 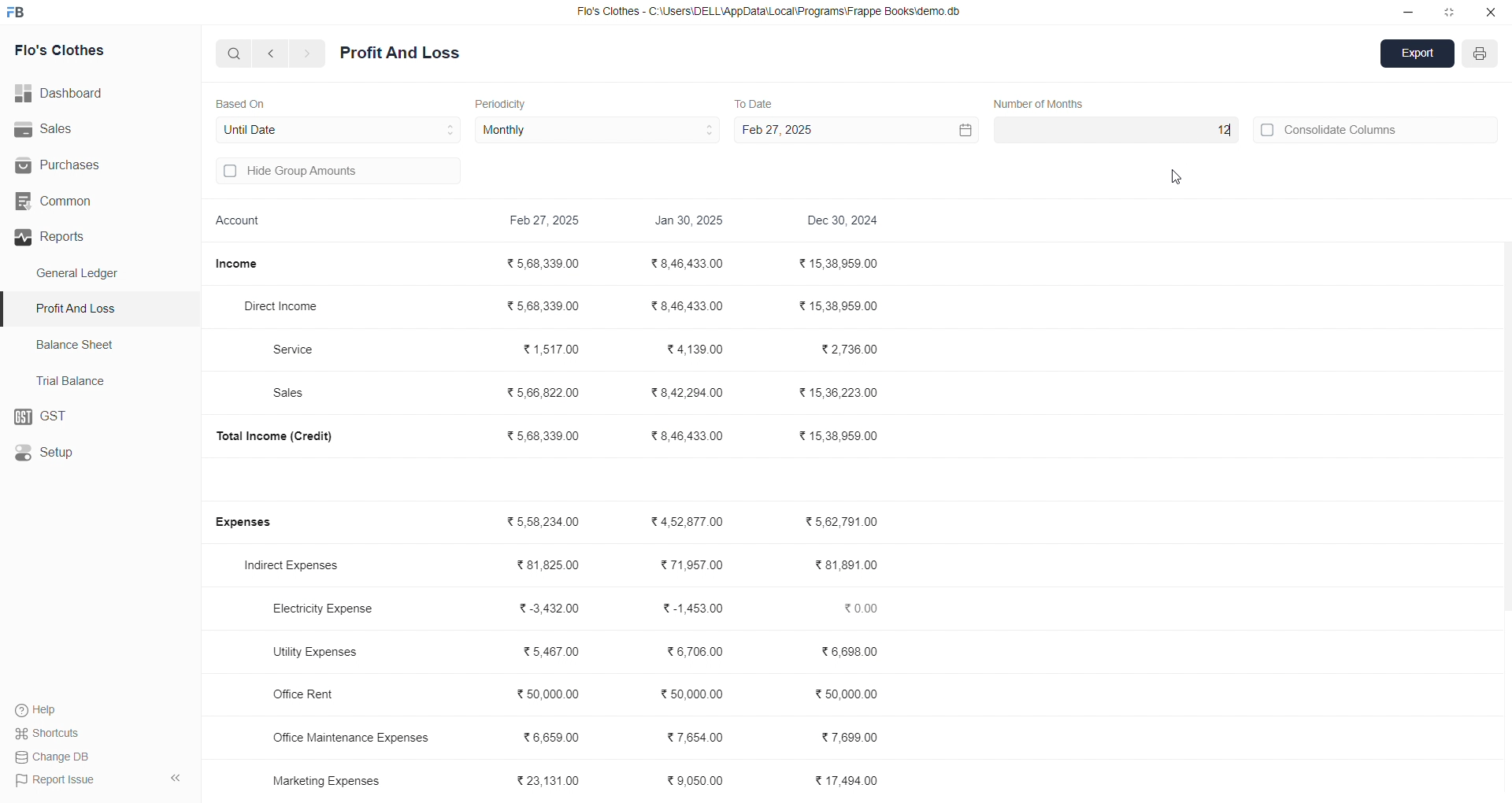 What do you see at coordinates (1180, 179) in the screenshot?
I see `cursor` at bounding box center [1180, 179].